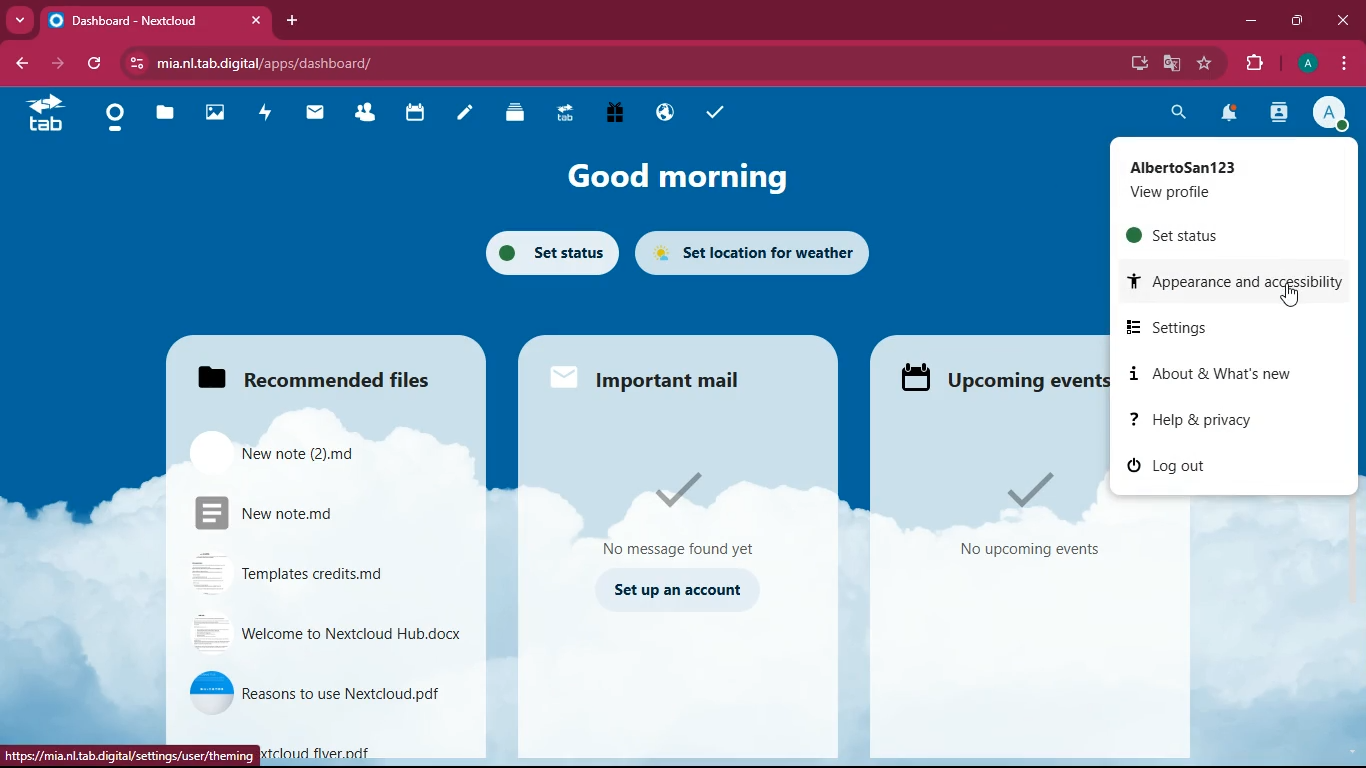  What do you see at coordinates (259, 21) in the screenshot?
I see `close tab` at bounding box center [259, 21].